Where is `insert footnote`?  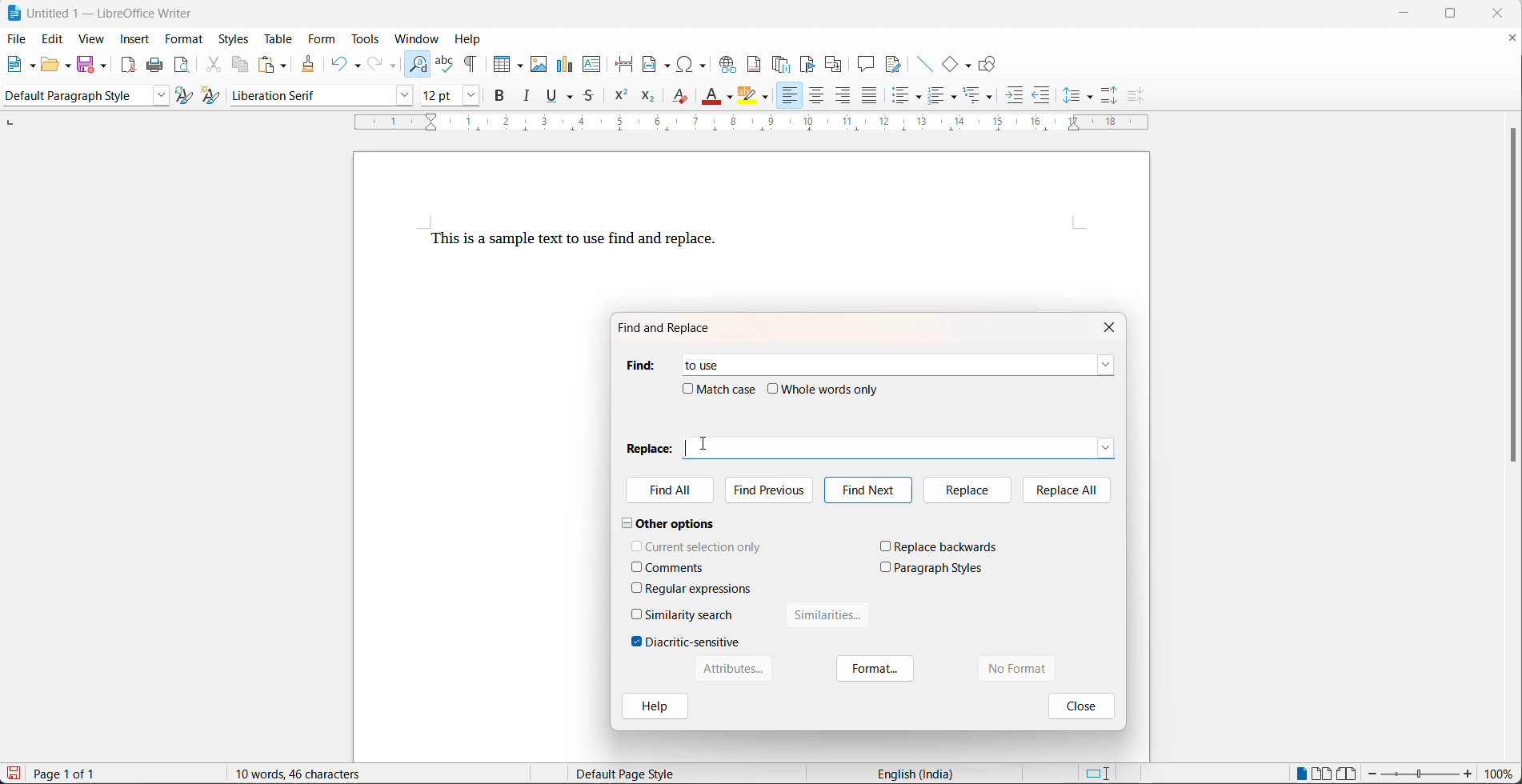
insert footnote is located at coordinates (756, 64).